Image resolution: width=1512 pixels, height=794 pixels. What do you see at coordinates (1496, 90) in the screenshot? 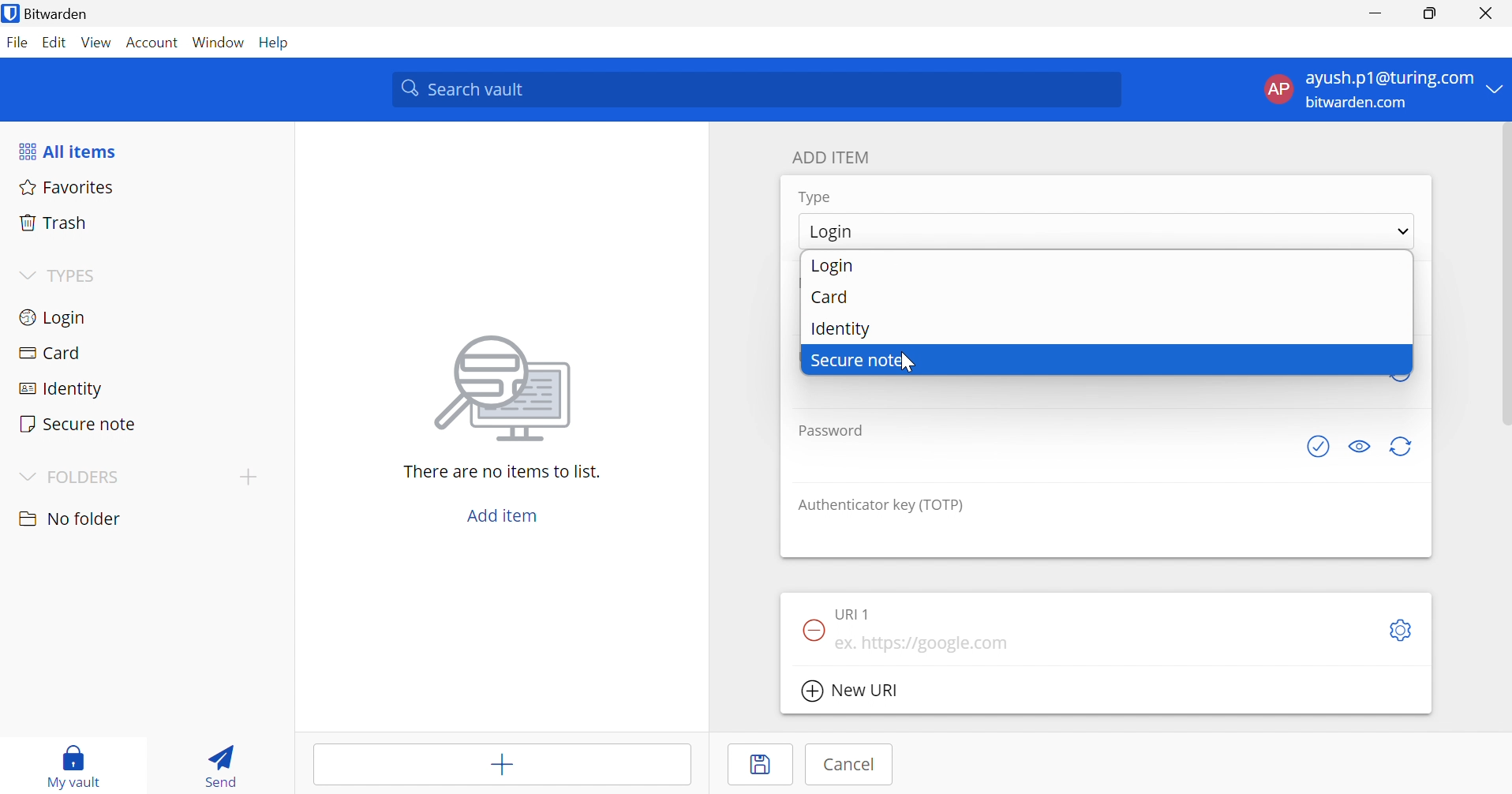
I see `Drop Down` at bounding box center [1496, 90].